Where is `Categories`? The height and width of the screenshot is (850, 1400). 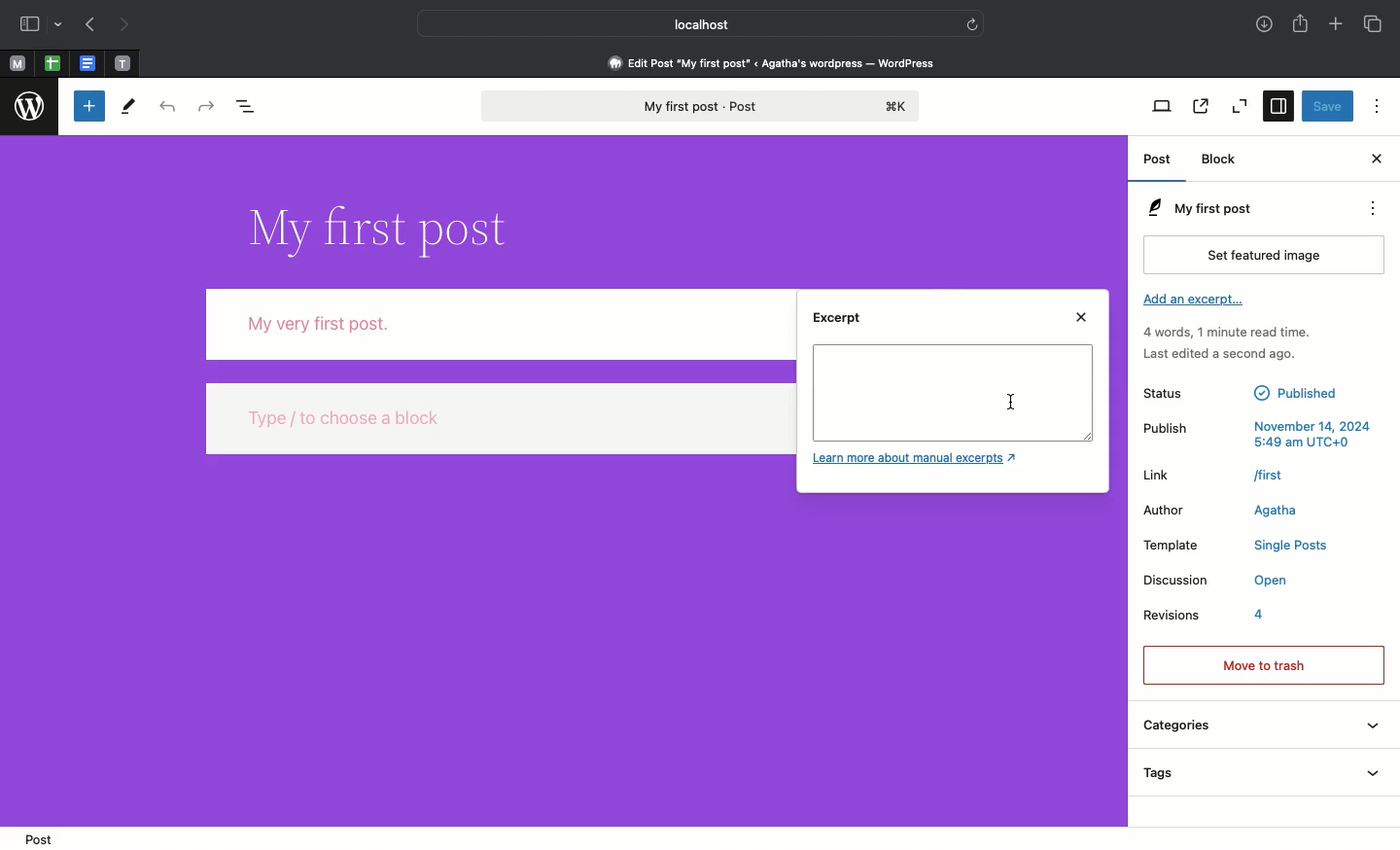 Categories is located at coordinates (1259, 728).